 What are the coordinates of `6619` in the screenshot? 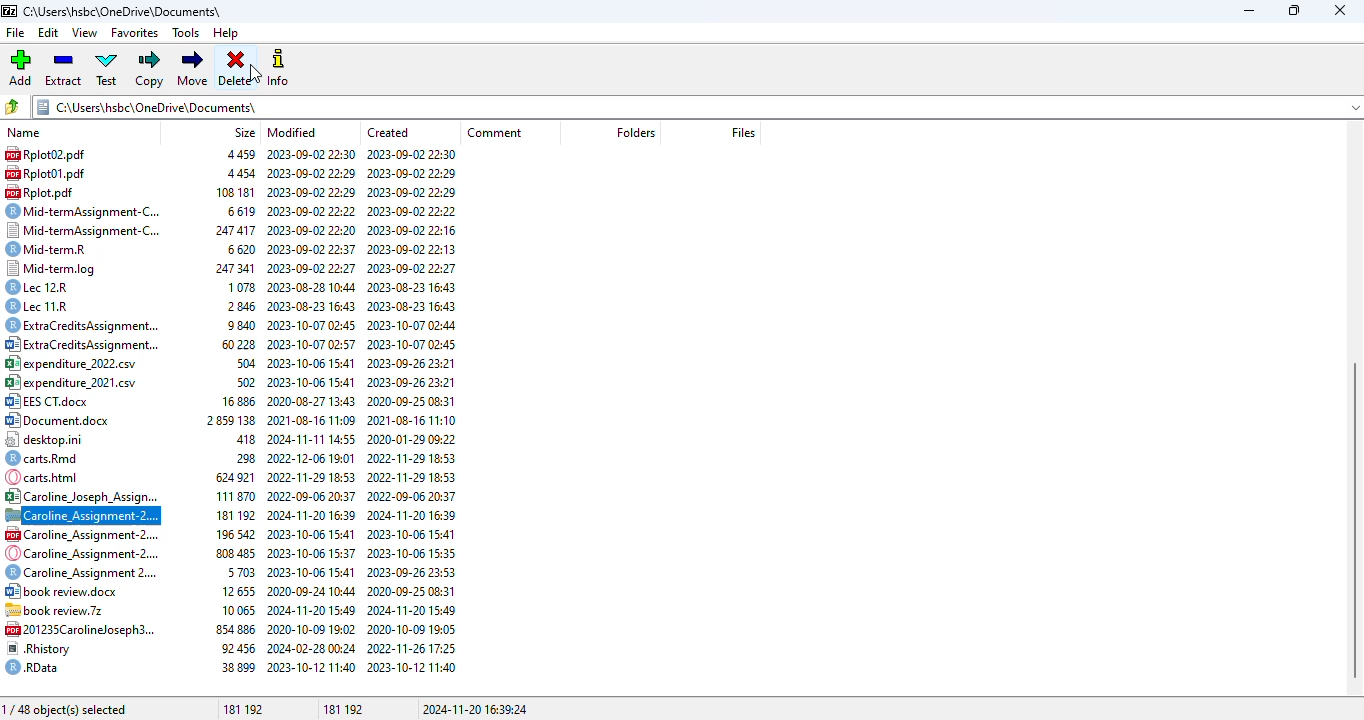 It's located at (241, 210).